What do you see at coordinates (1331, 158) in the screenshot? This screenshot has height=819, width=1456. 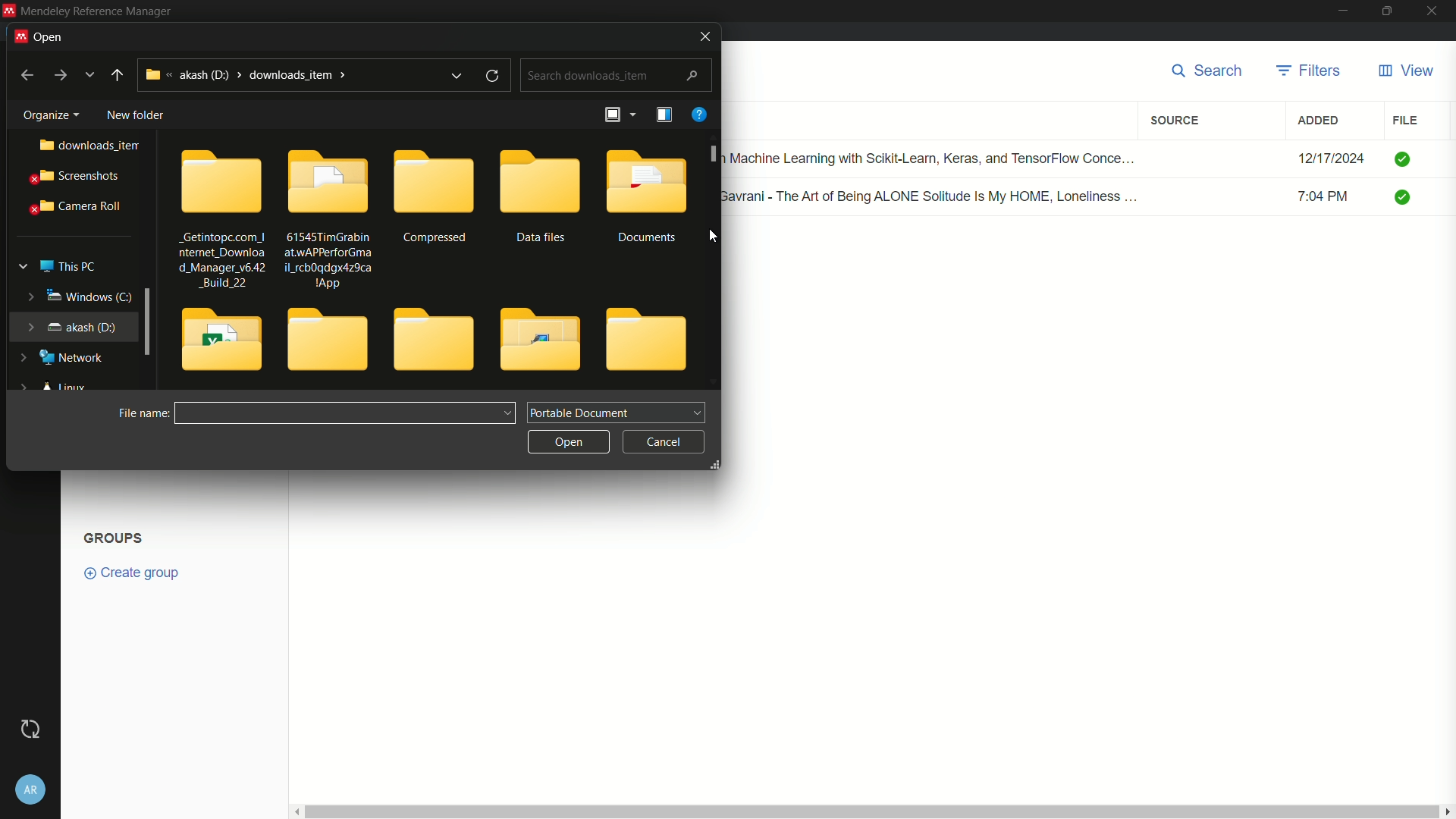 I see `12/17/2024` at bounding box center [1331, 158].